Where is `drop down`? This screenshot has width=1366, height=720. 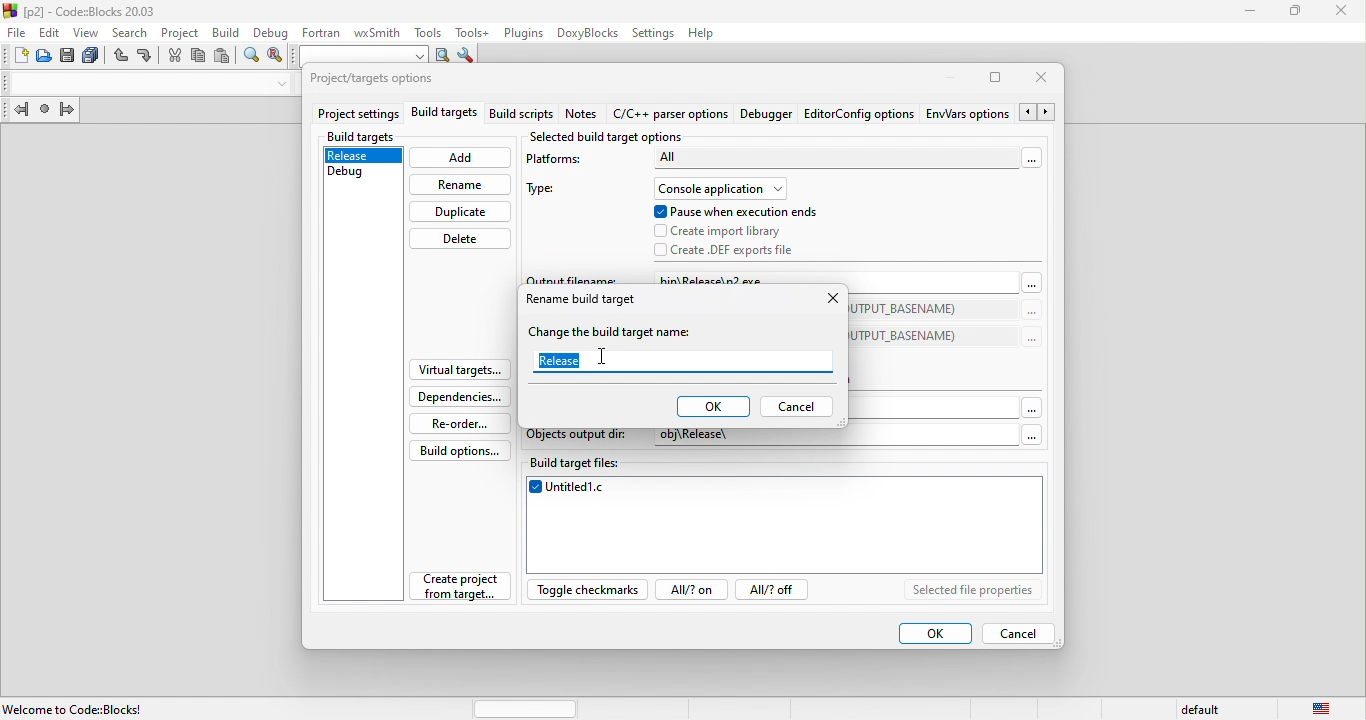
drop down is located at coordinates (278, 84).